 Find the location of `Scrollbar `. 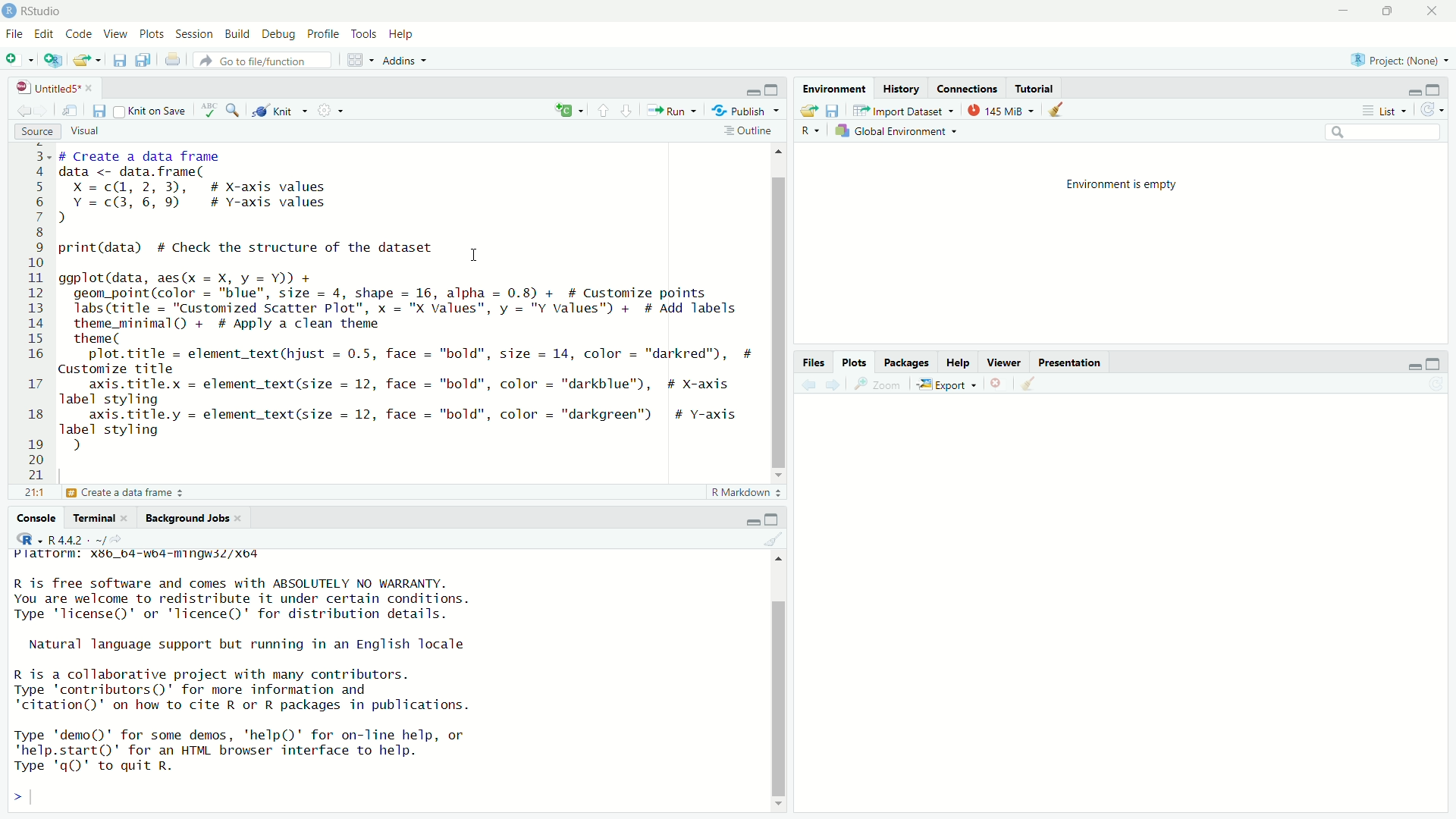

Scrollbar  is located at coordinates (778, 312).